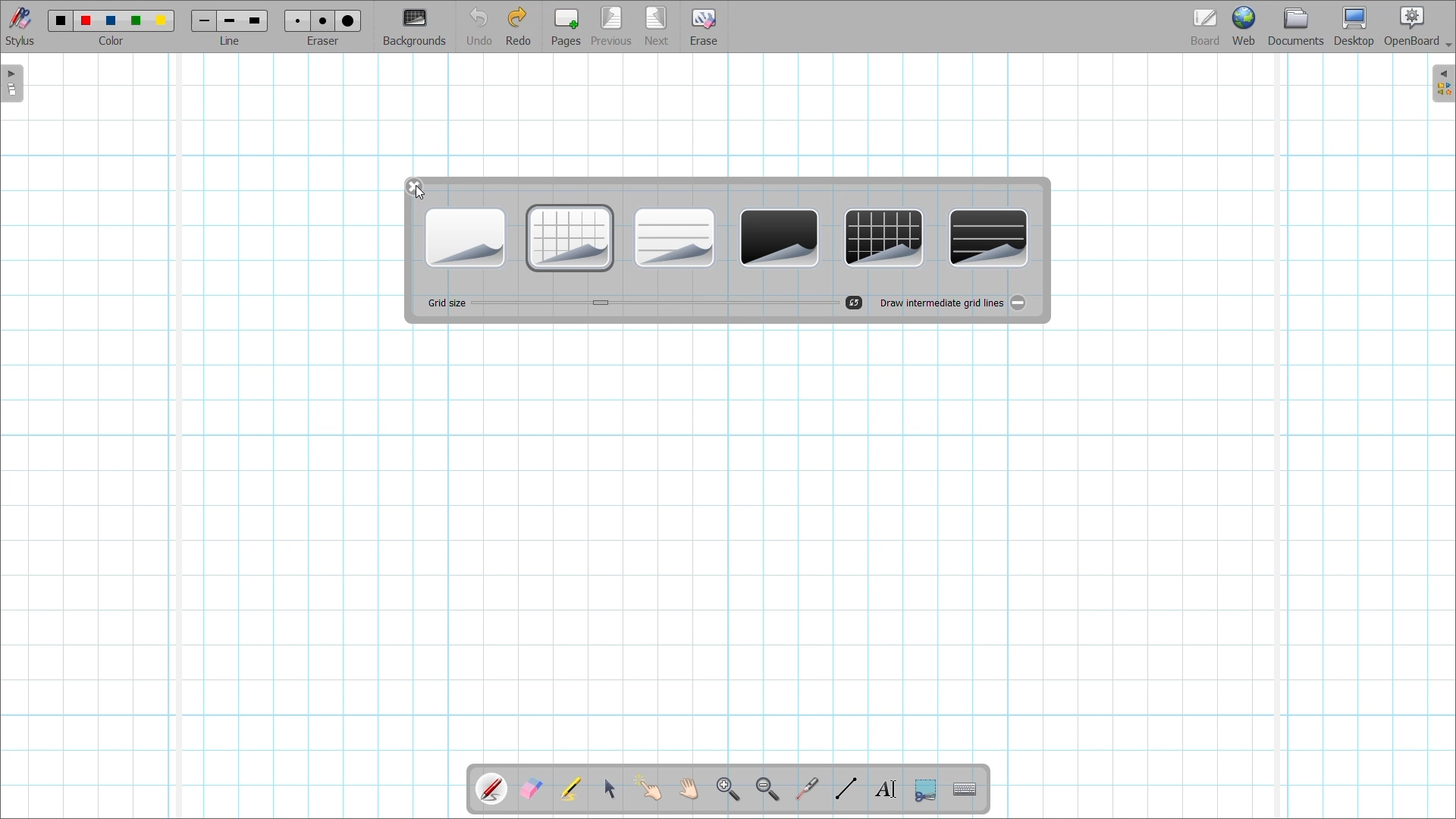  Describe the element at coordinates (767, 789) in the screenshot. I see `Zoom out` at that location.